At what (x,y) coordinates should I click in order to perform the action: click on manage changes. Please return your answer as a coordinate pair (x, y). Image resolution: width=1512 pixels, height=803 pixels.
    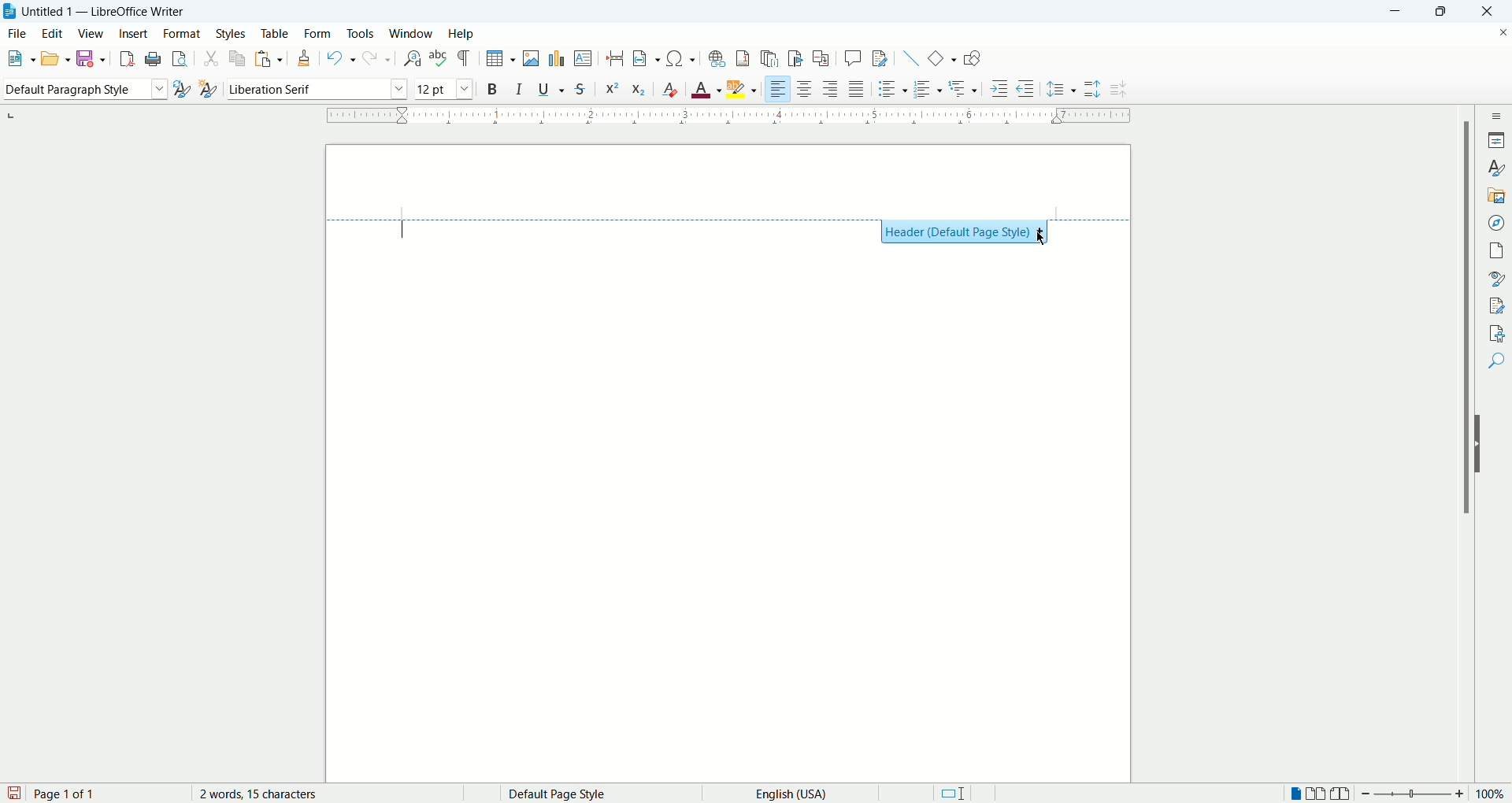
    Looking at the image, I should click on (1496, 305).